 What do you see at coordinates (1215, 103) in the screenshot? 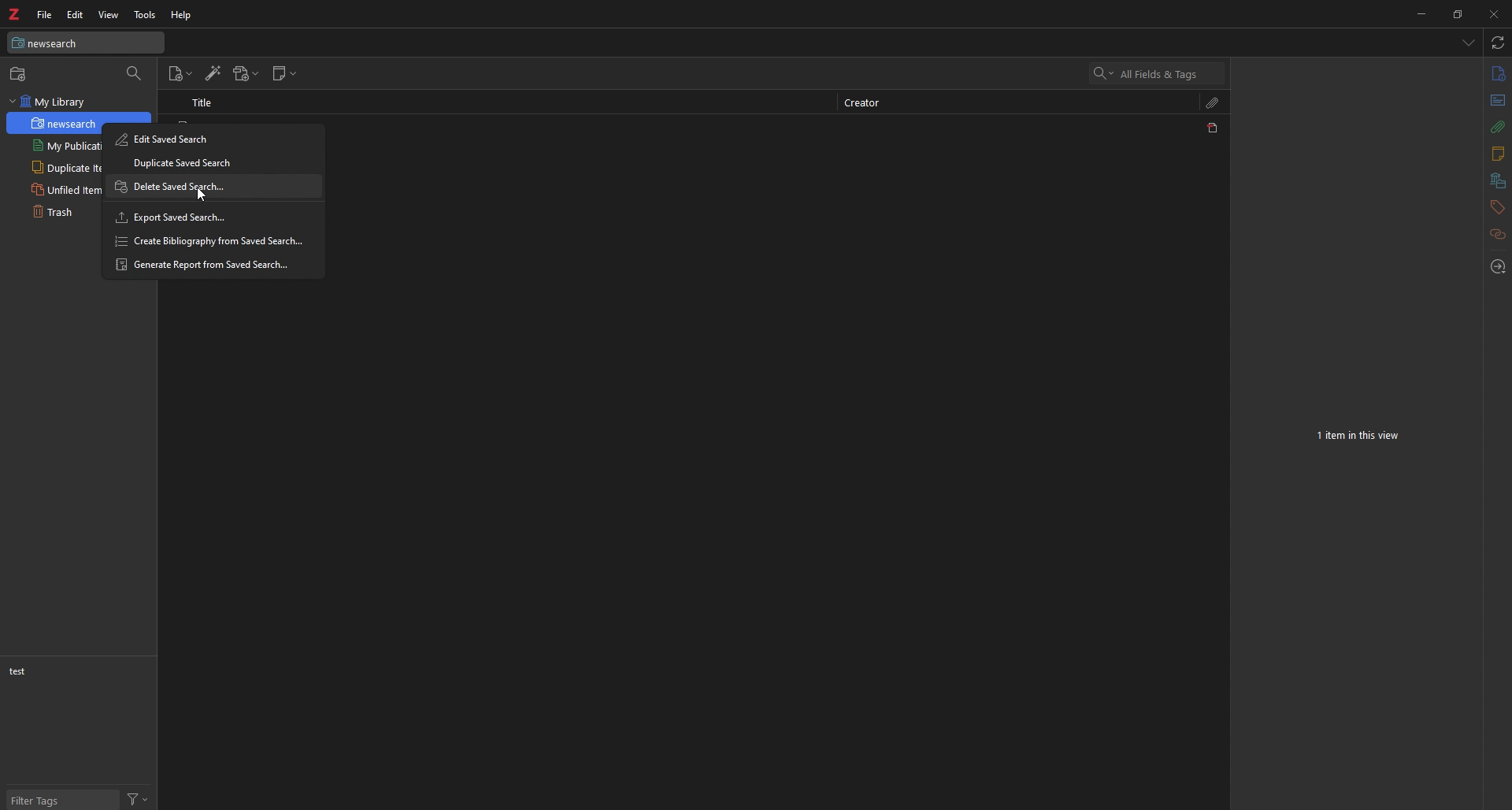
I see `Attachments` at bounding box center [1215, 103].